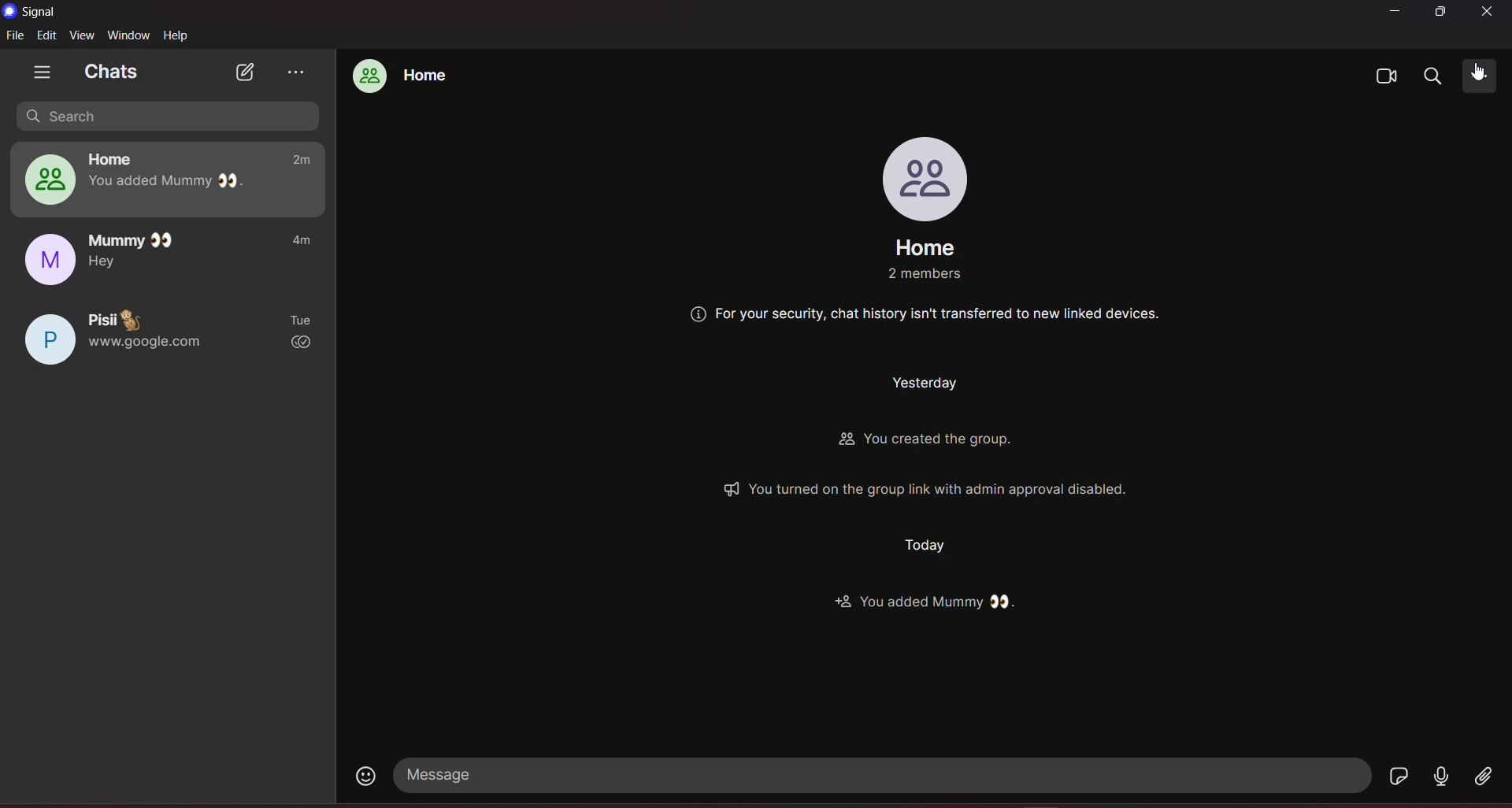  Describe the element at coordinates (924, 605) in the screenshot. I see `` at that location.